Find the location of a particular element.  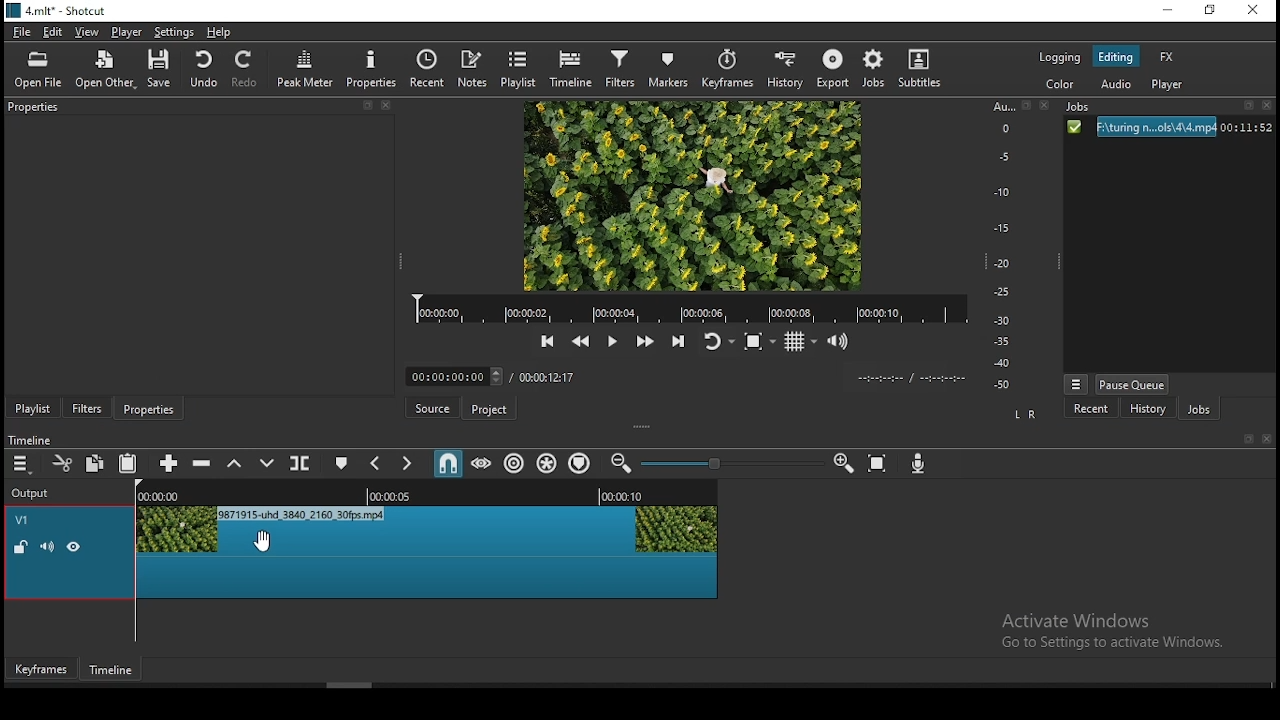

undo is located at coordinates (199, 68).